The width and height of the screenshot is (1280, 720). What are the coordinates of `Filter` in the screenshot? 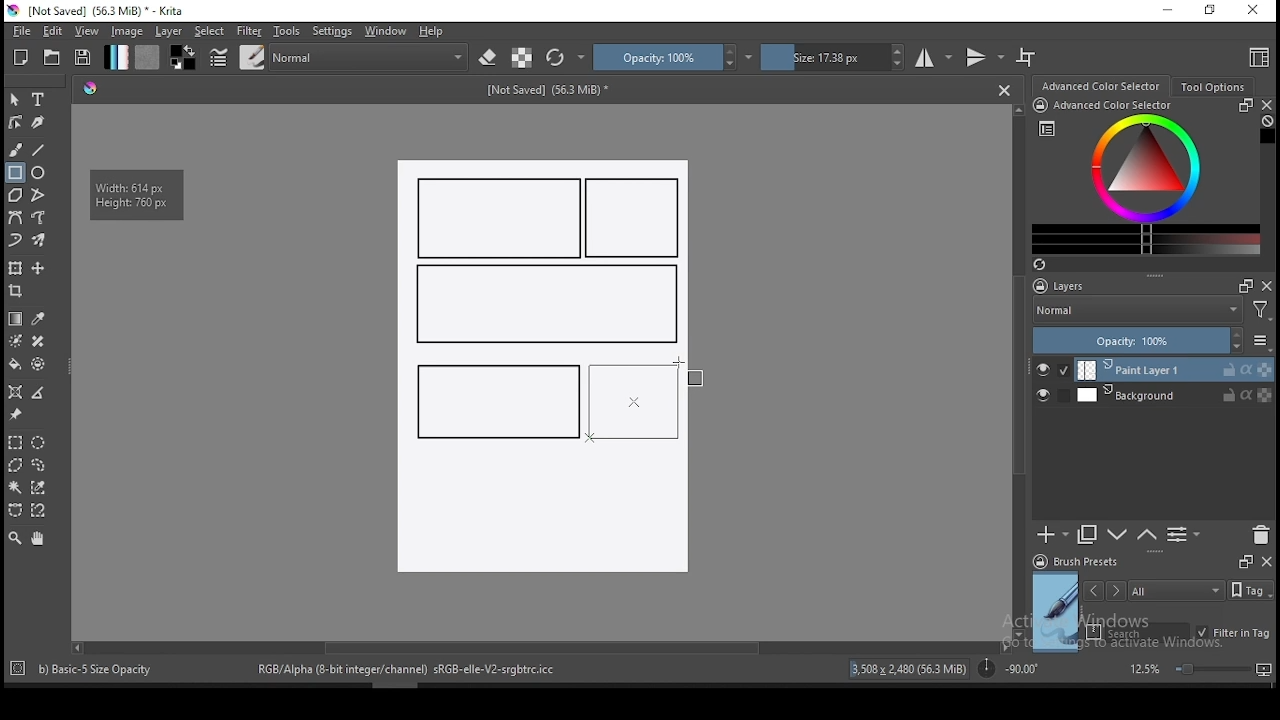 It's located at (1261, 313).